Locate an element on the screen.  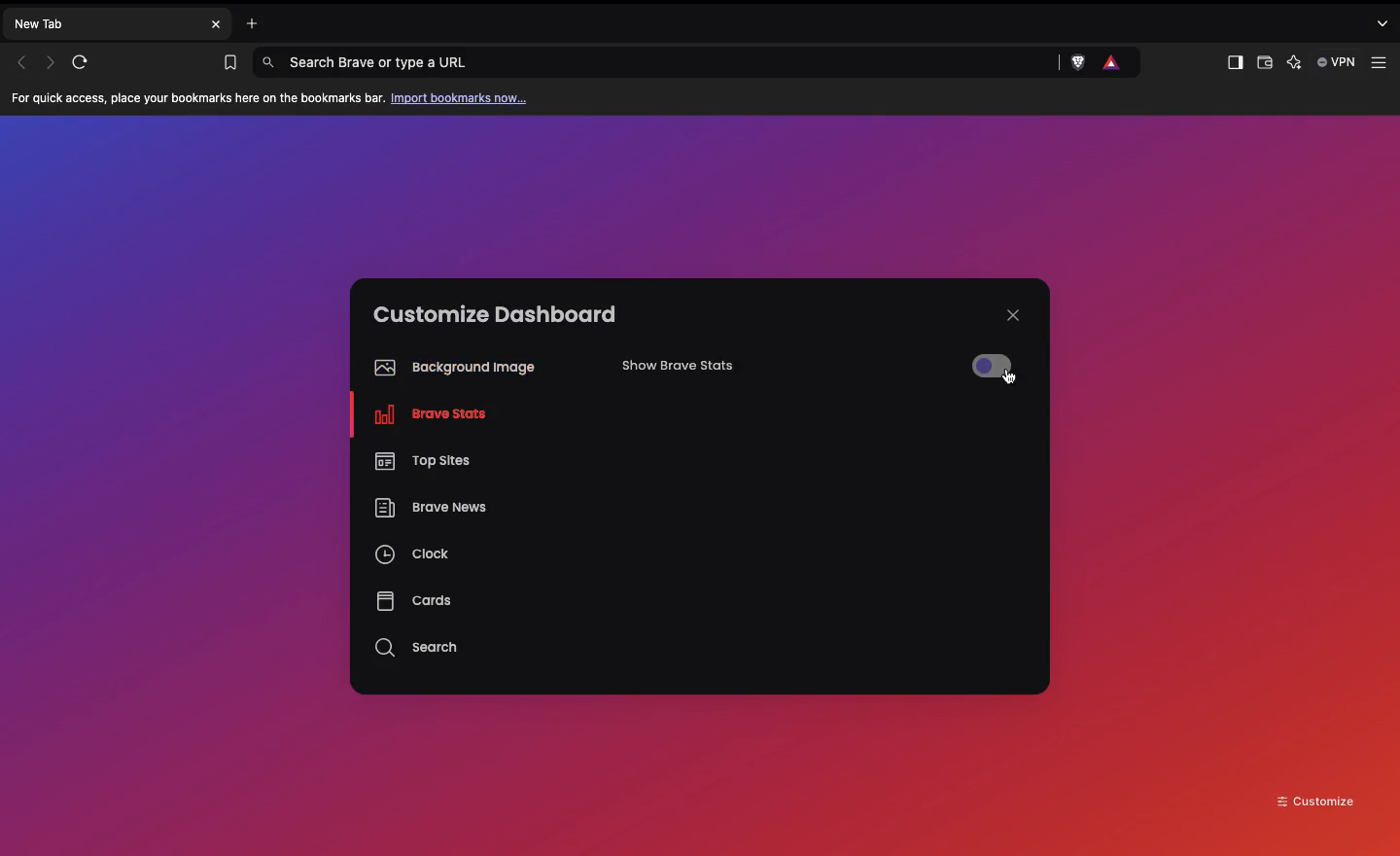
New tab is located at coordinates (103, 22).